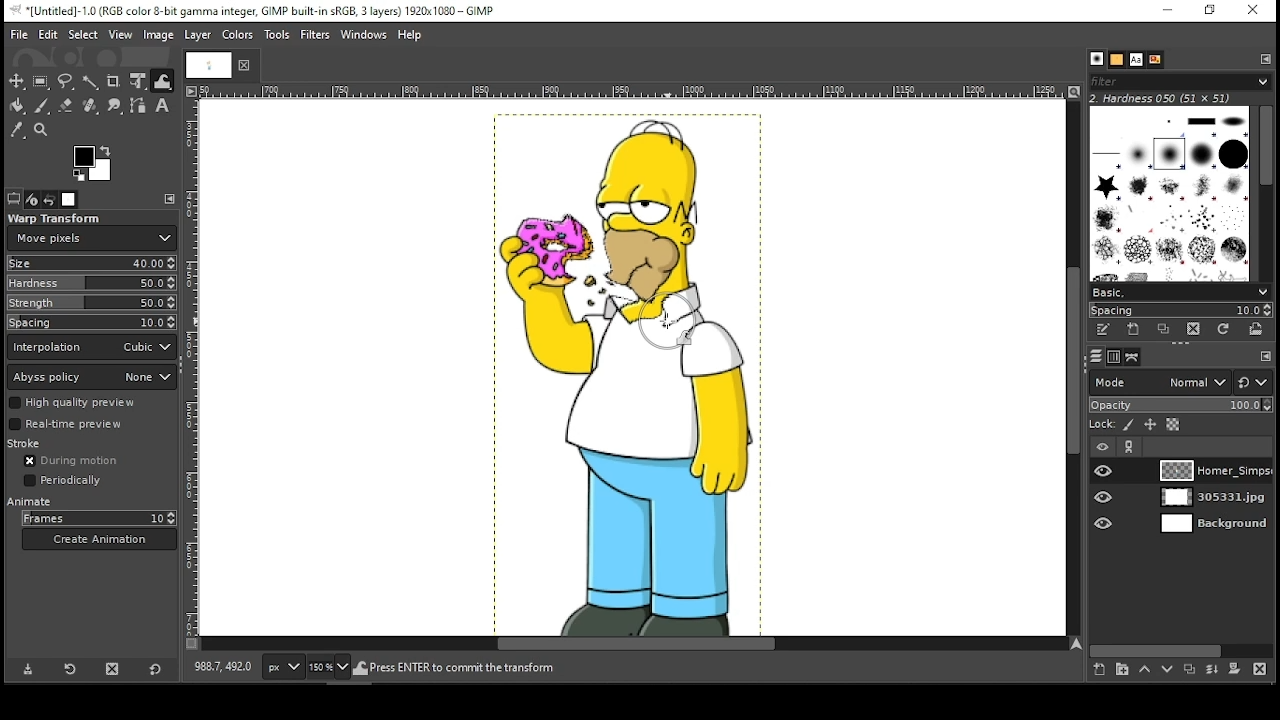  Describe the element at coordinates (315, 35) in the screenshot. I see `filters` at that location.